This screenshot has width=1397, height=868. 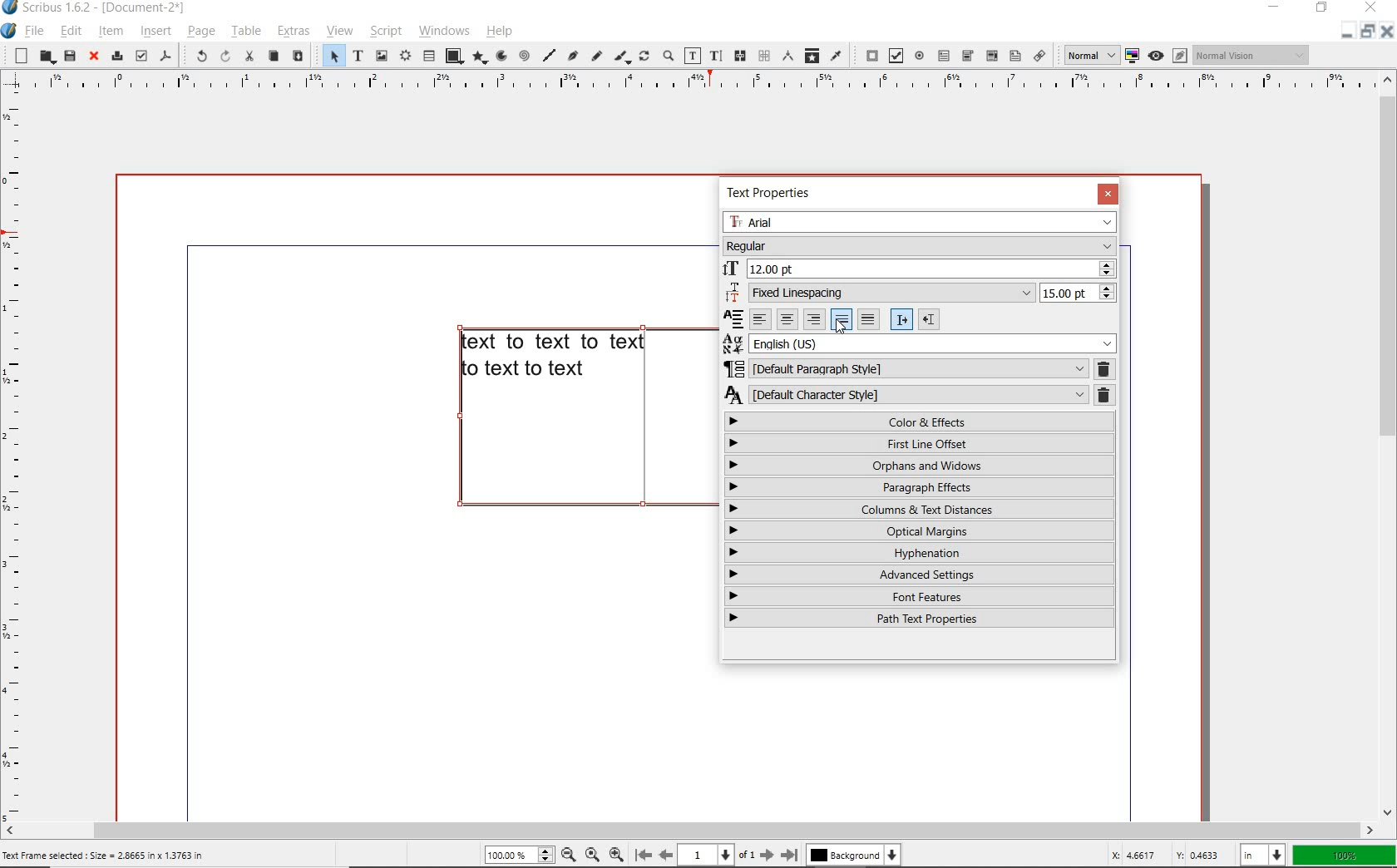 What do you see at coordinates (590, 853) in the screenshot?
I see `default zoom` at bounding box center [590, 853].